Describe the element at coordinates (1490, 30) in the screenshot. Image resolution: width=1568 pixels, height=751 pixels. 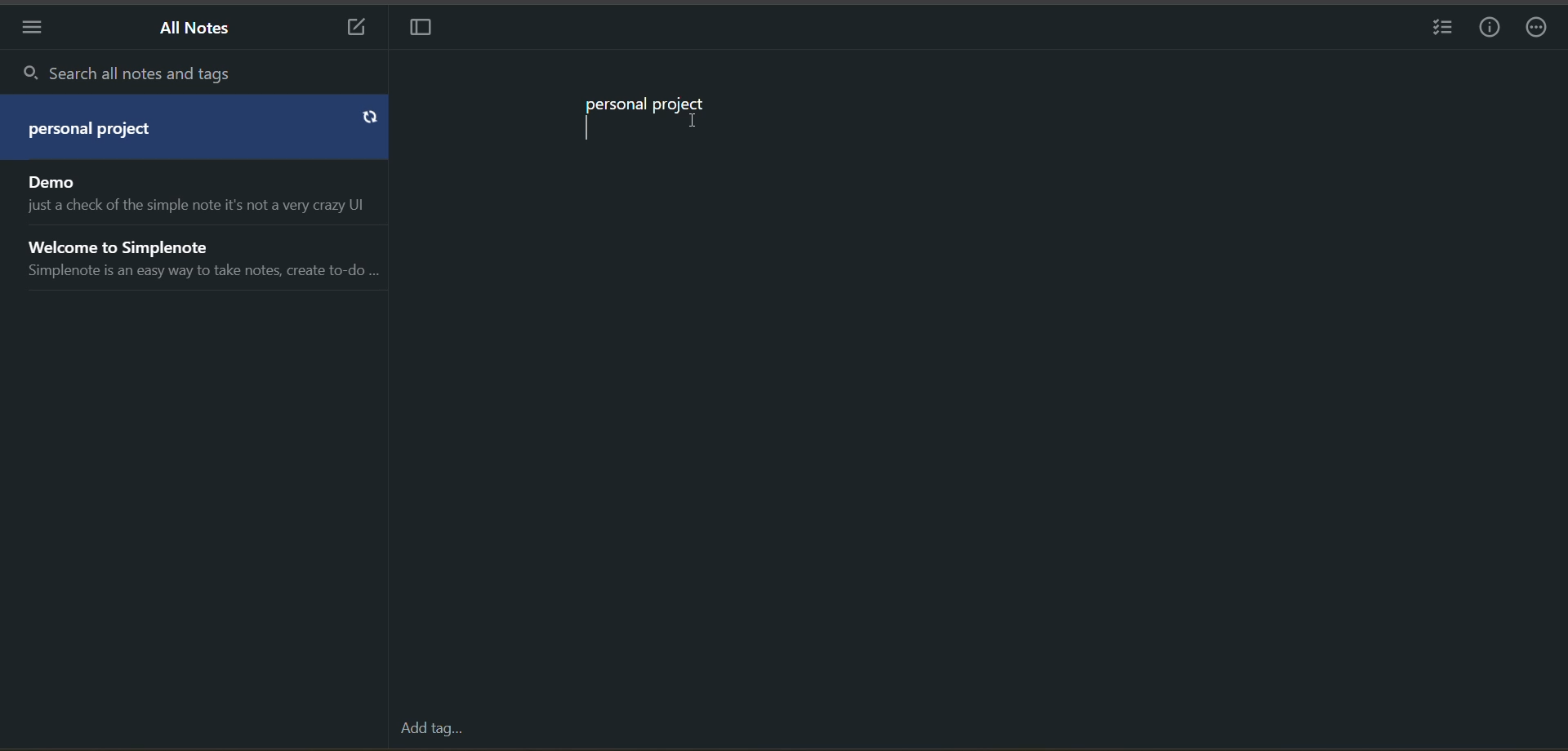
I see `info` at that location.